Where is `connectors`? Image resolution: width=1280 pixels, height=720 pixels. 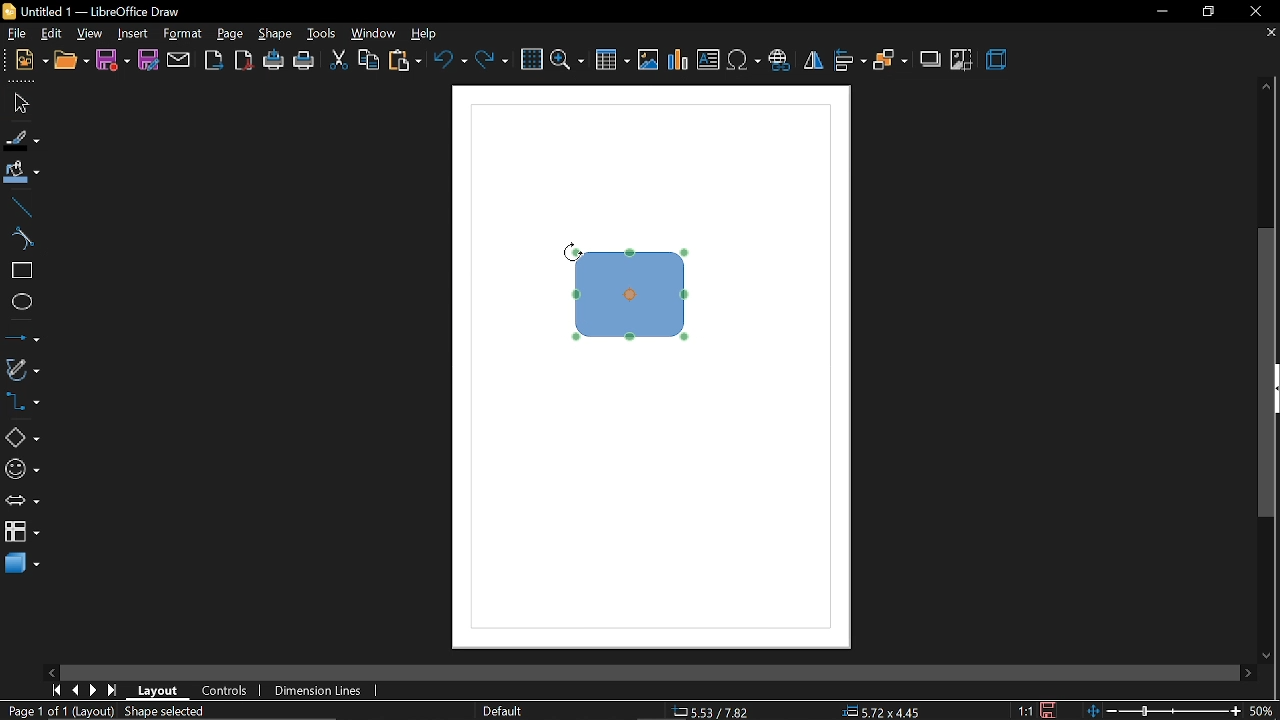
connectors is located at coordinates (22, 403).